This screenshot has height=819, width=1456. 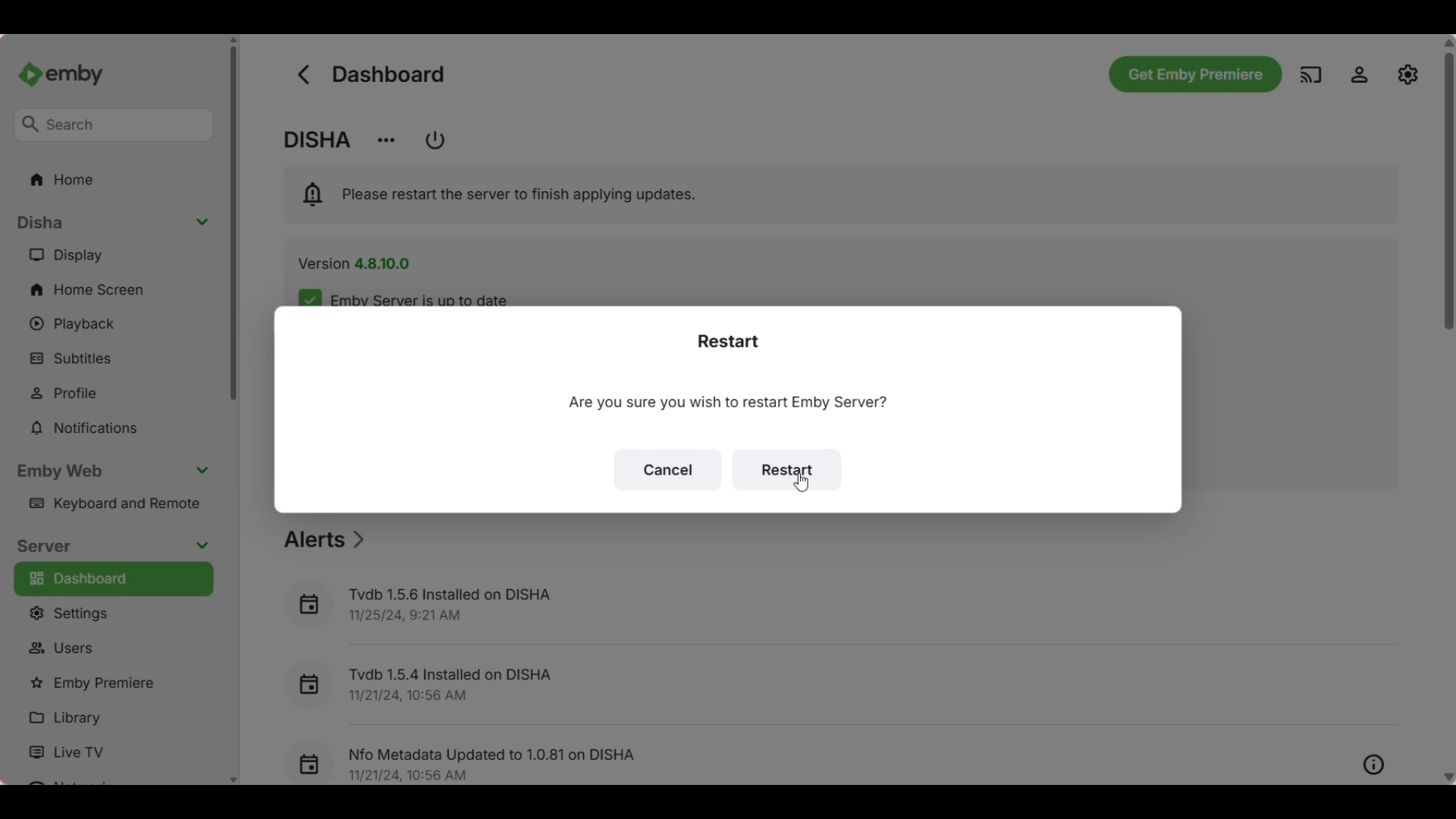 I want to click on Library, so click(x=110, y=718).